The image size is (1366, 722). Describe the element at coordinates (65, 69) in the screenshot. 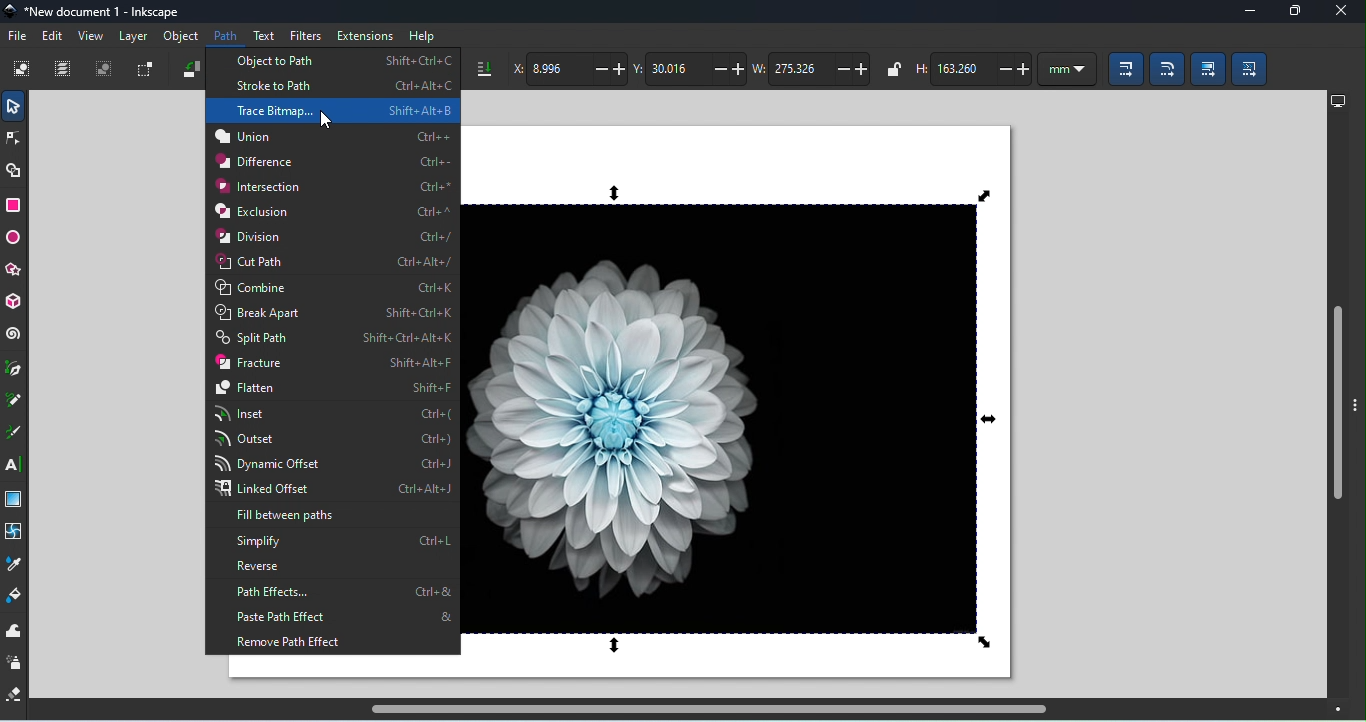

I see `Select all in all layers` at that location.